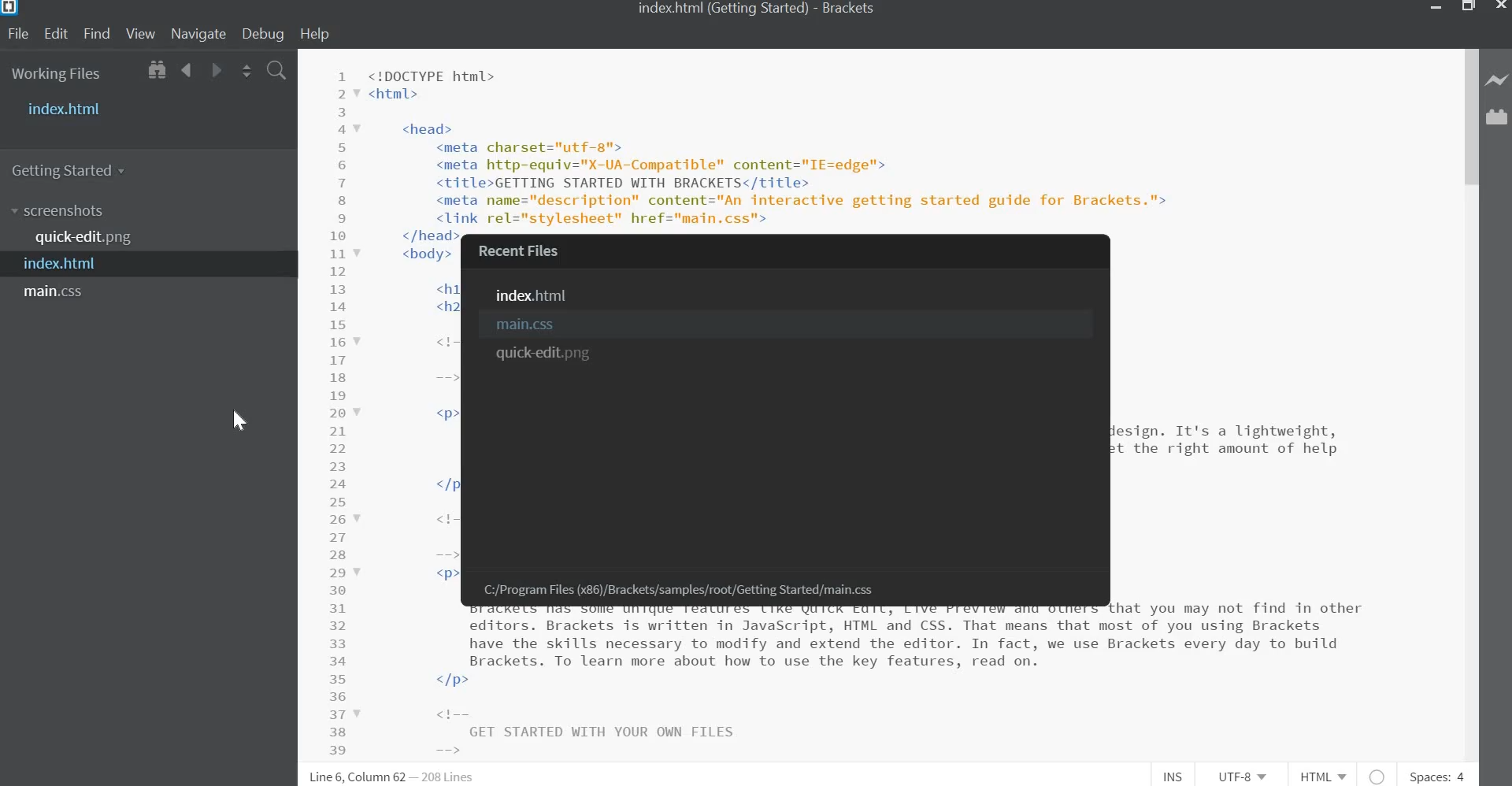  What do you see at coordinates (532, 325) in the screenshot?
I see `main.css file` at bounding box center [532, 325].